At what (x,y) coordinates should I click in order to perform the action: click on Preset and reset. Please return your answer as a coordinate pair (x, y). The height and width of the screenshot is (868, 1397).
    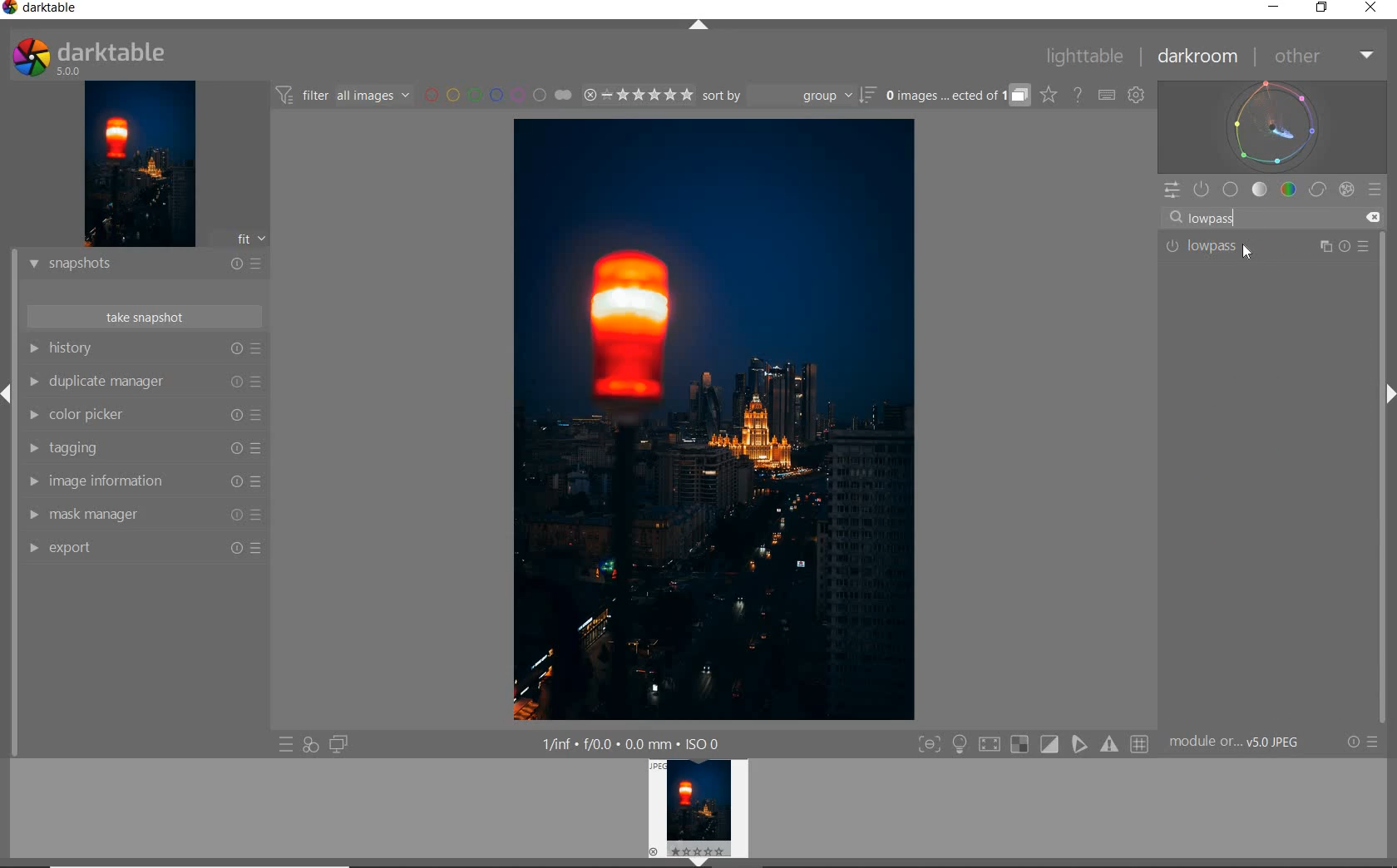
    Looking at the image, I should click on (1326, 248).